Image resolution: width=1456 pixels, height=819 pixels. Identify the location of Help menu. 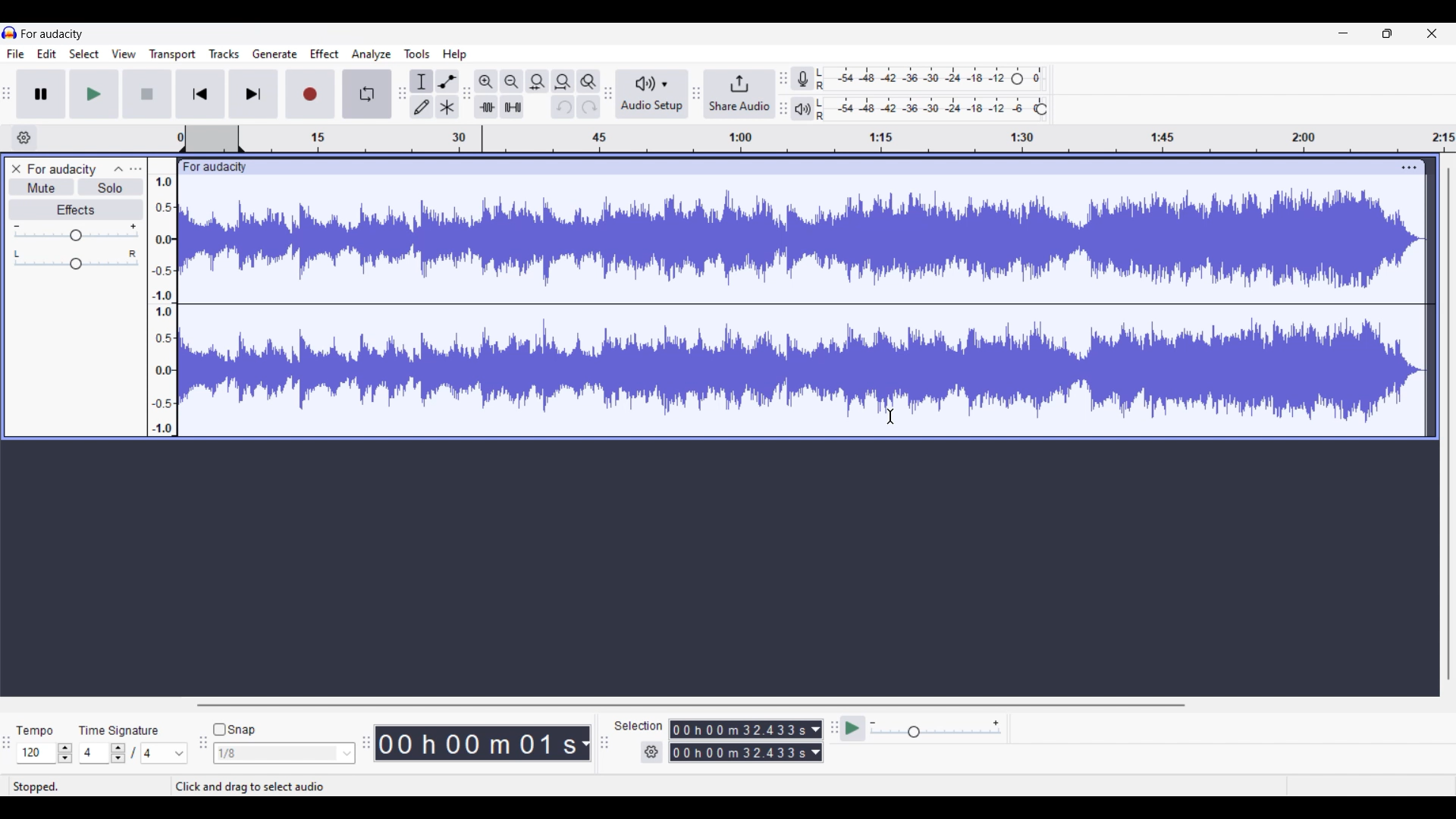
(455, 55).